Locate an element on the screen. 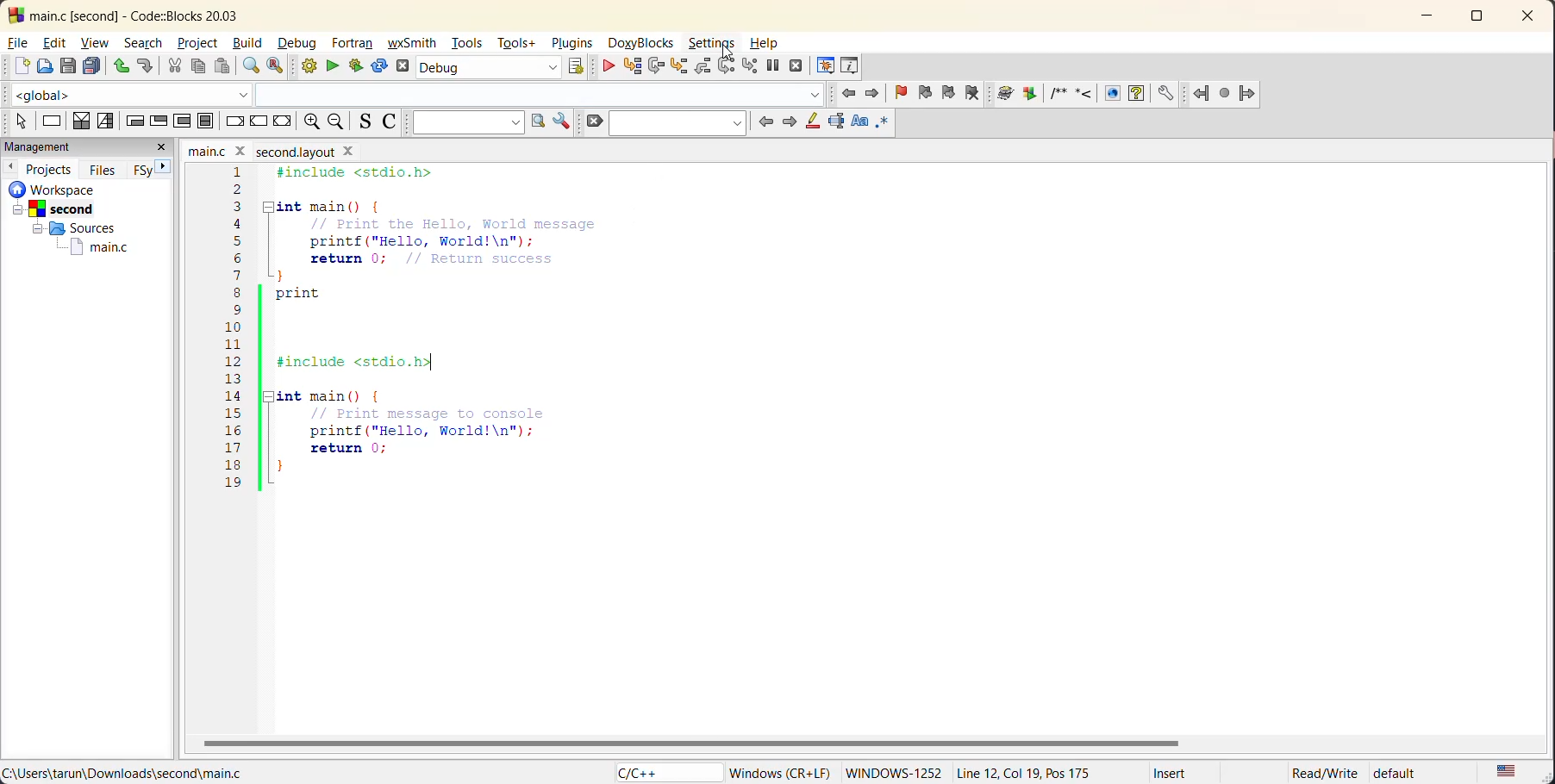 This screenshot has height=784, width=1555. next line is located at coordinates (655, 68).